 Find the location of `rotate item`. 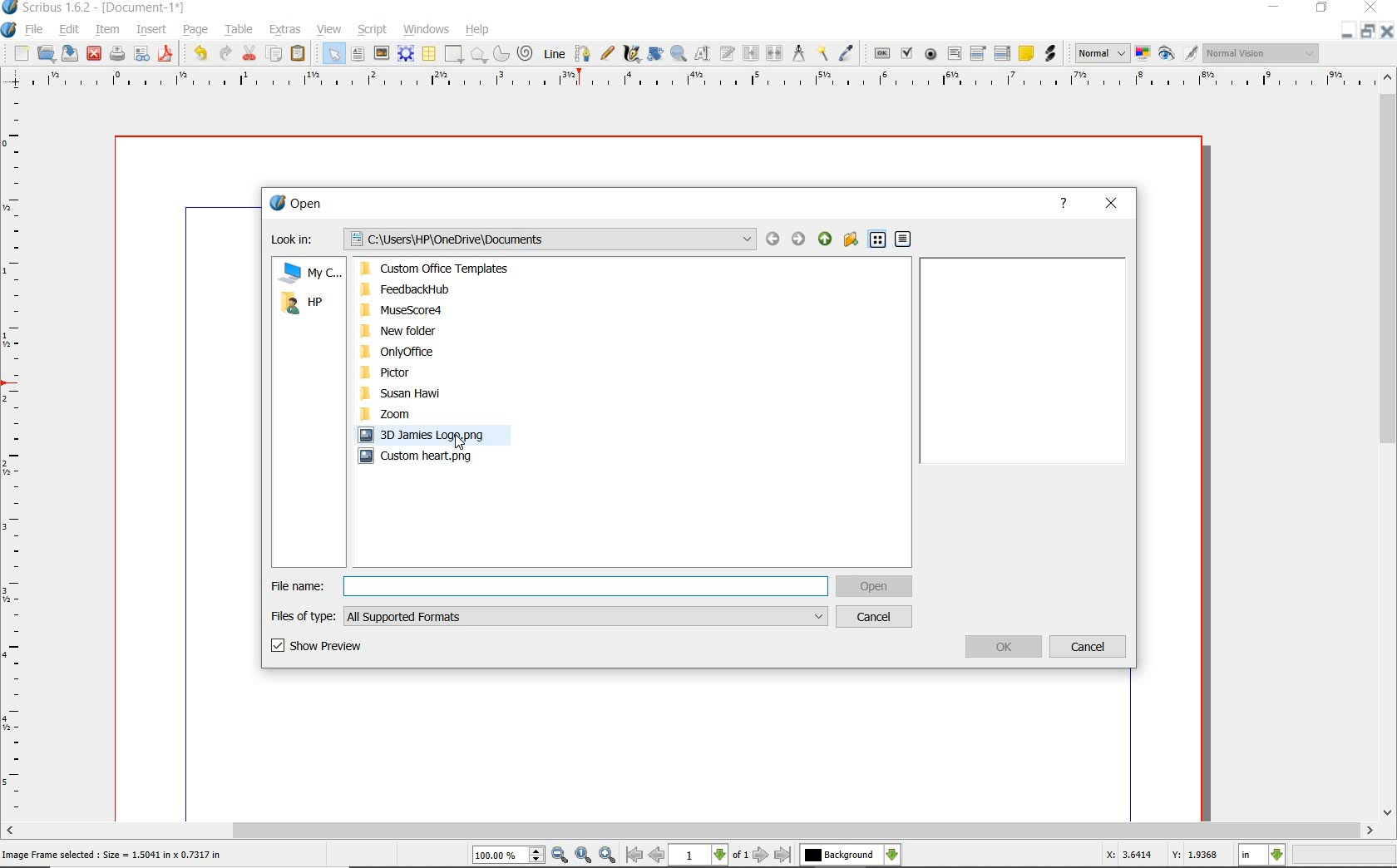

rotate item is located at coordinates (654, 55).